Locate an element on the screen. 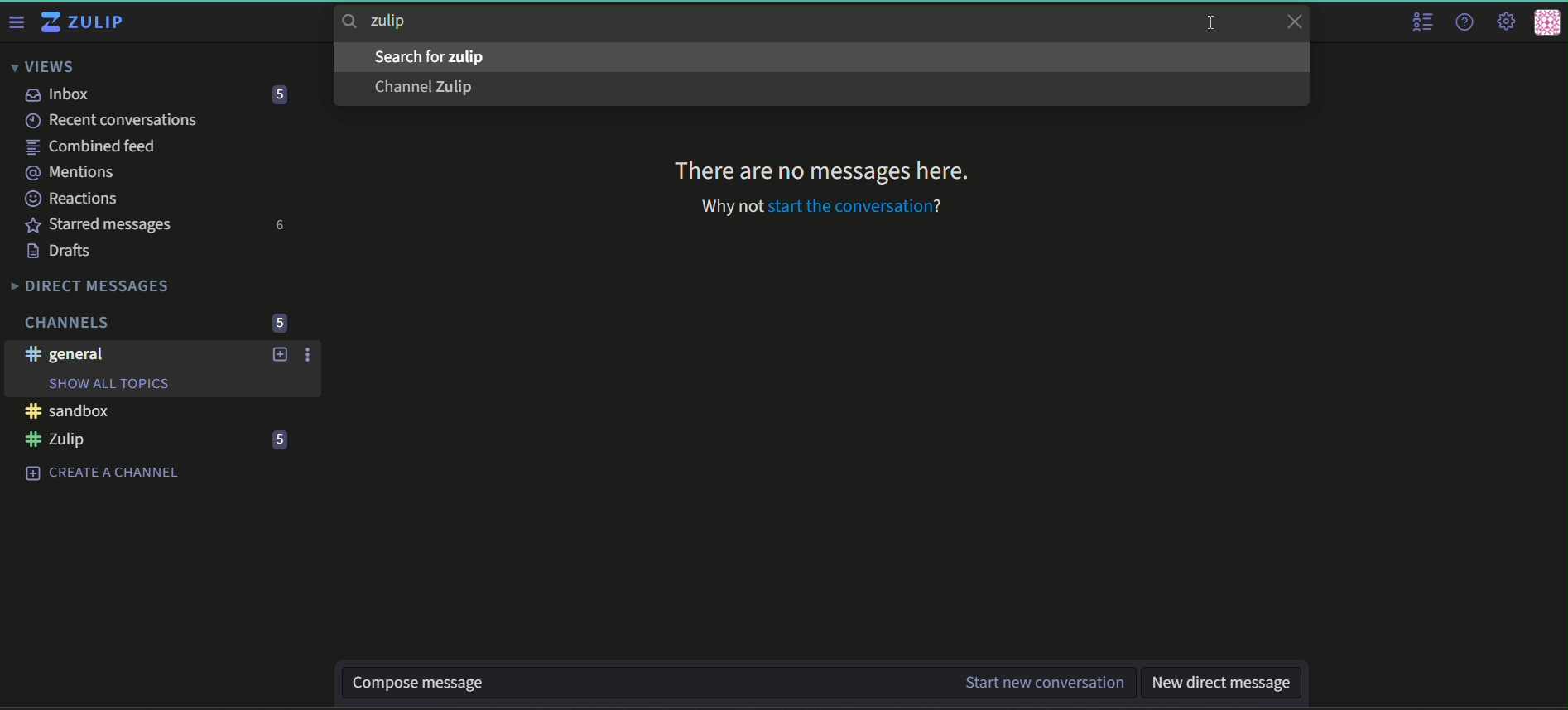  text is located at coordinates (830, 213).